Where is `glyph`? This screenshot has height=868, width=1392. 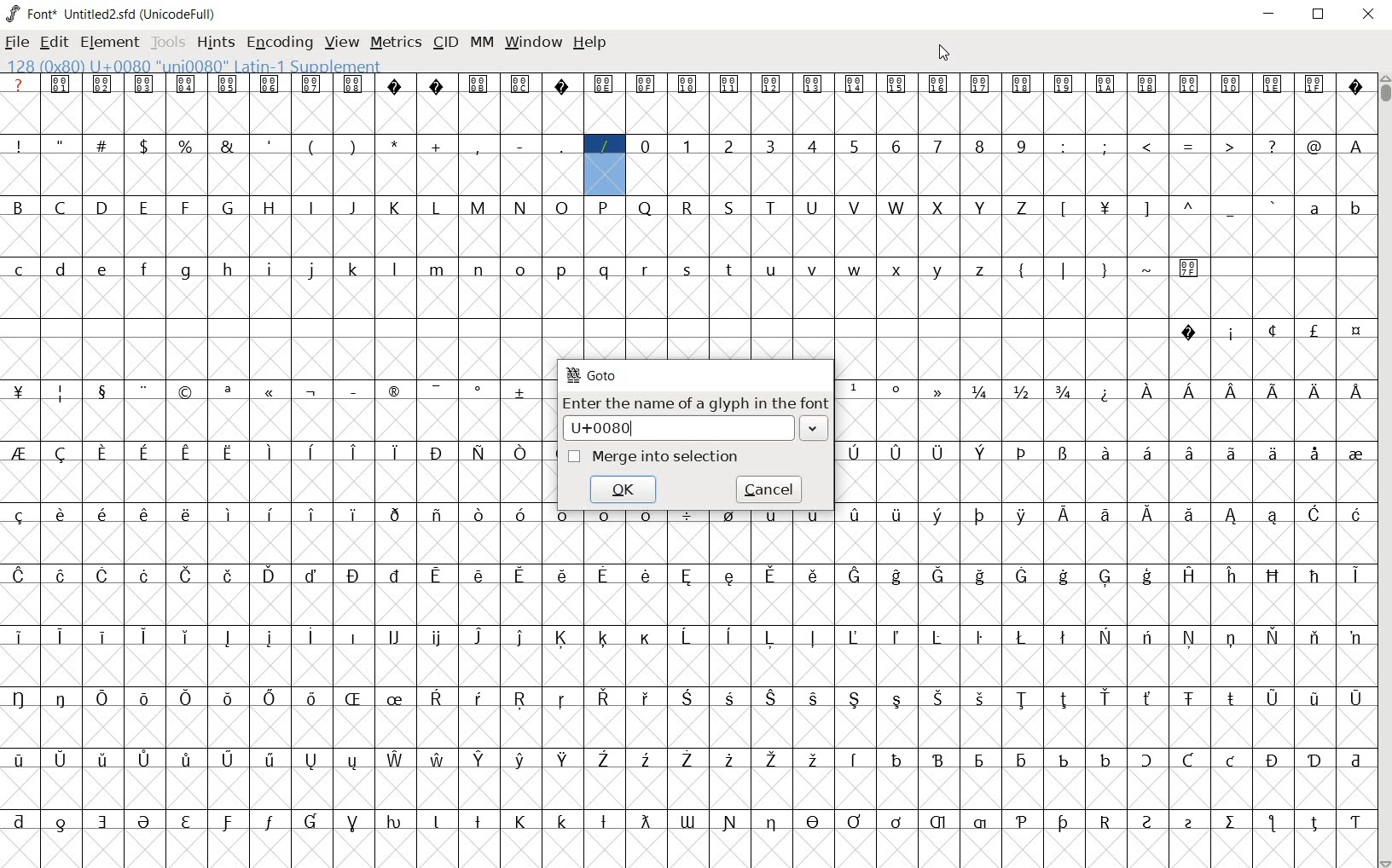 glyph is located at coordinates (853, 637).